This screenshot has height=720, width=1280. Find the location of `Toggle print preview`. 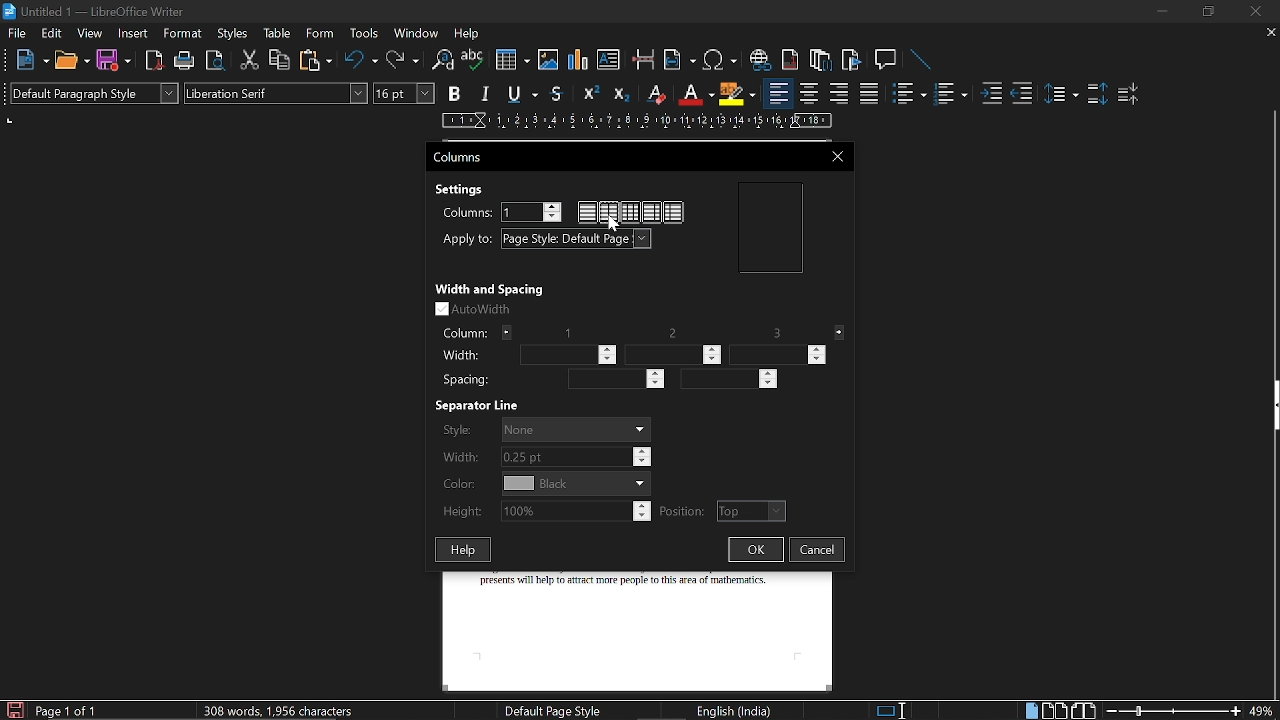

Toggle print preview is located at coordinates (218, 62).